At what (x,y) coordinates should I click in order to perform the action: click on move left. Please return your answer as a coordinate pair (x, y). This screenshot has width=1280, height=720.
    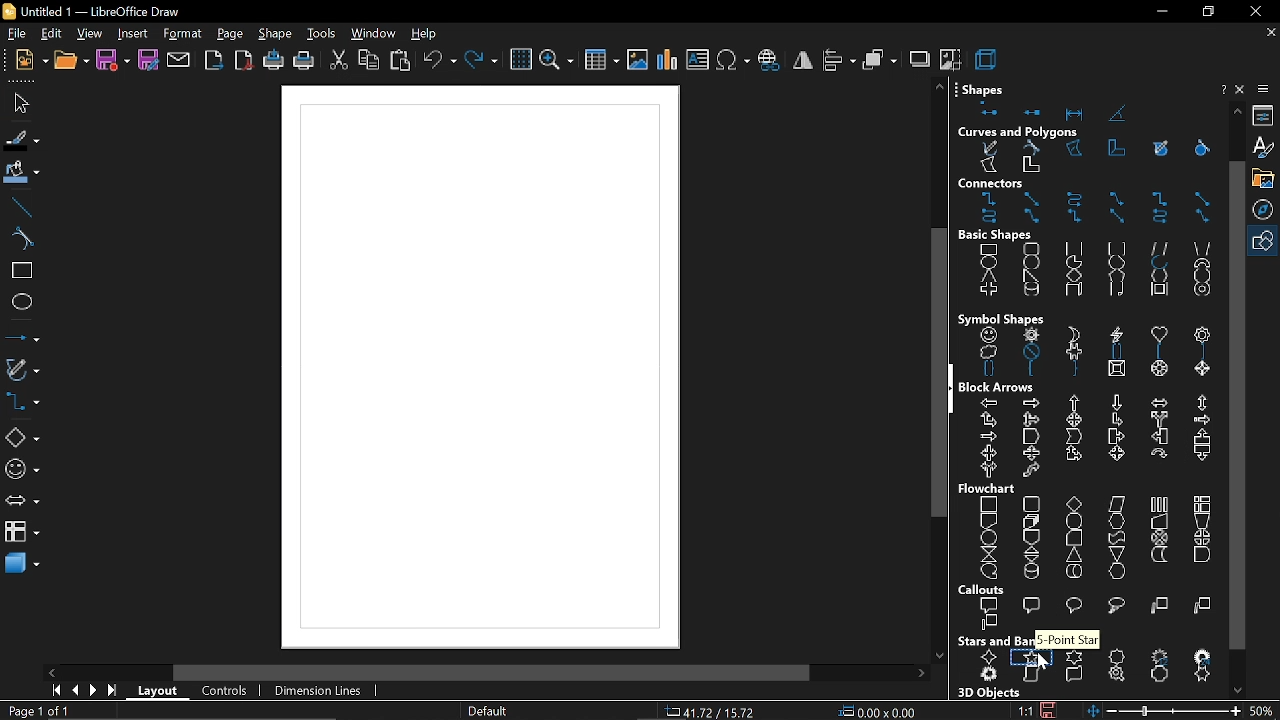
    Looking at the image, I should click on (51, 672).